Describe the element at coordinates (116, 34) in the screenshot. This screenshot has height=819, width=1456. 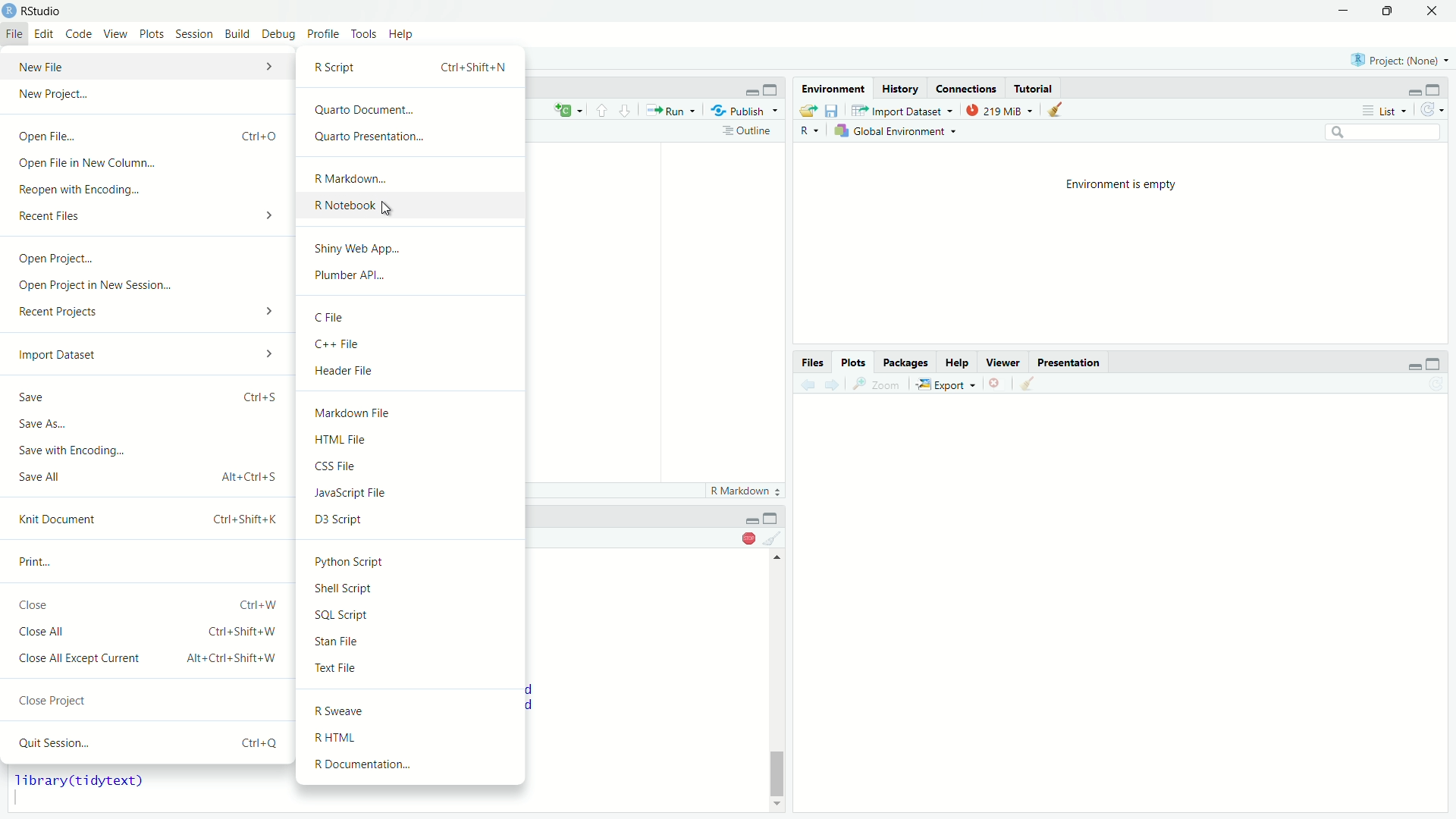
I see `View` at that location.